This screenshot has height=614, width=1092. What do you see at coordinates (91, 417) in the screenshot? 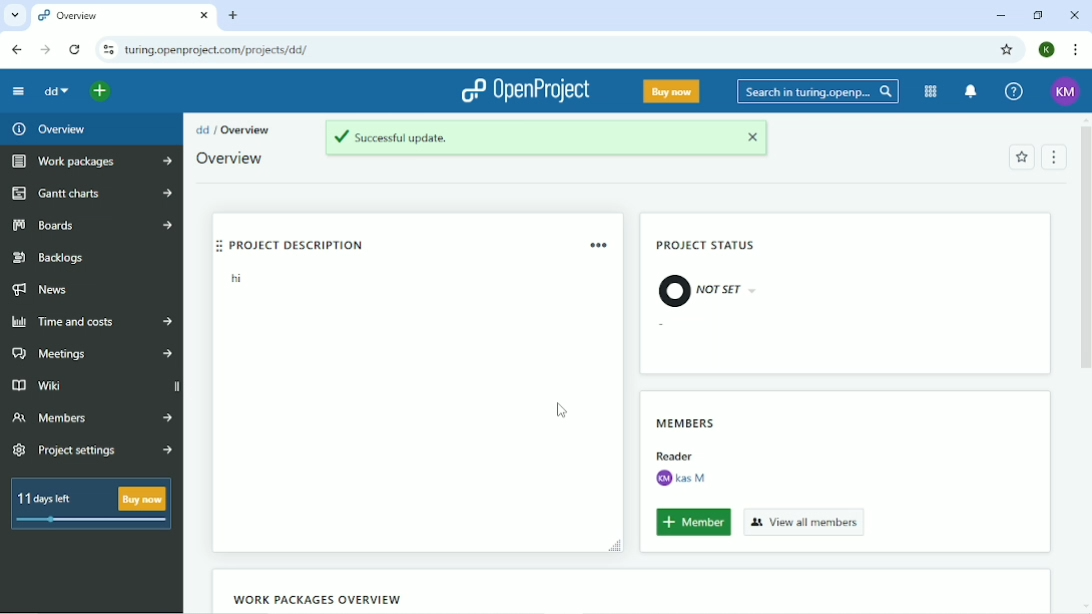
I see `Members` at bounding box center [91, 417].